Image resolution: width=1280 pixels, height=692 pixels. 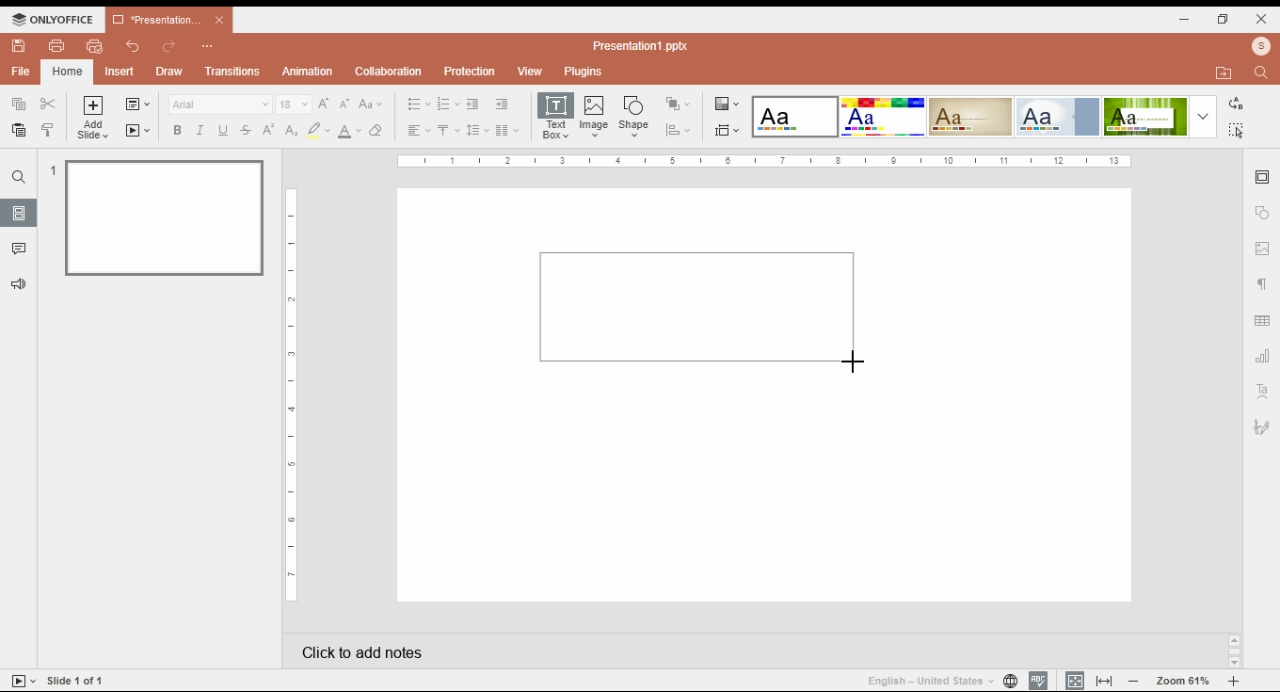 I want to click on decrease zoom, so click(x=1134, y=680).